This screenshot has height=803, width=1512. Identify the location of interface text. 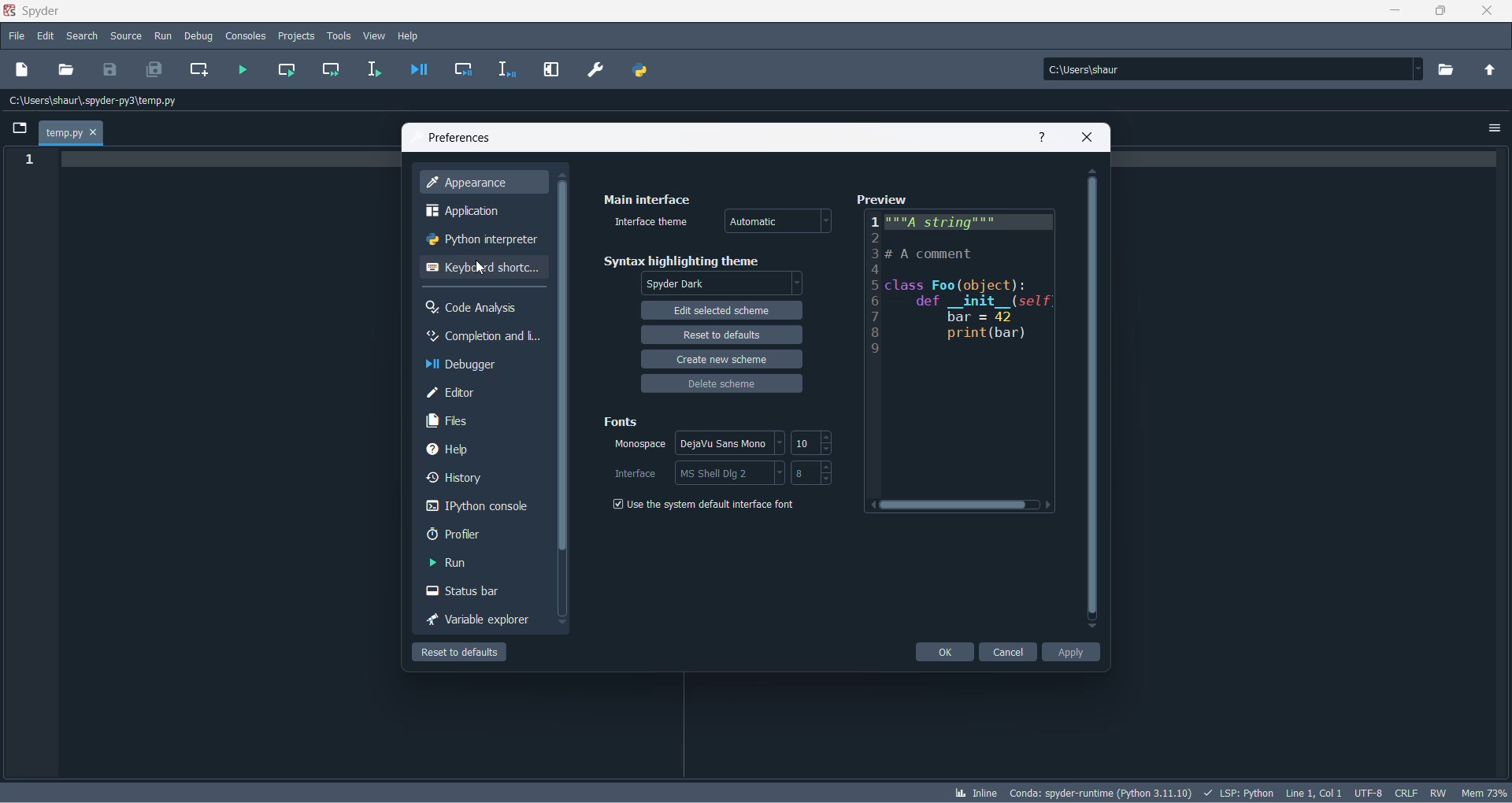
(636, 475).